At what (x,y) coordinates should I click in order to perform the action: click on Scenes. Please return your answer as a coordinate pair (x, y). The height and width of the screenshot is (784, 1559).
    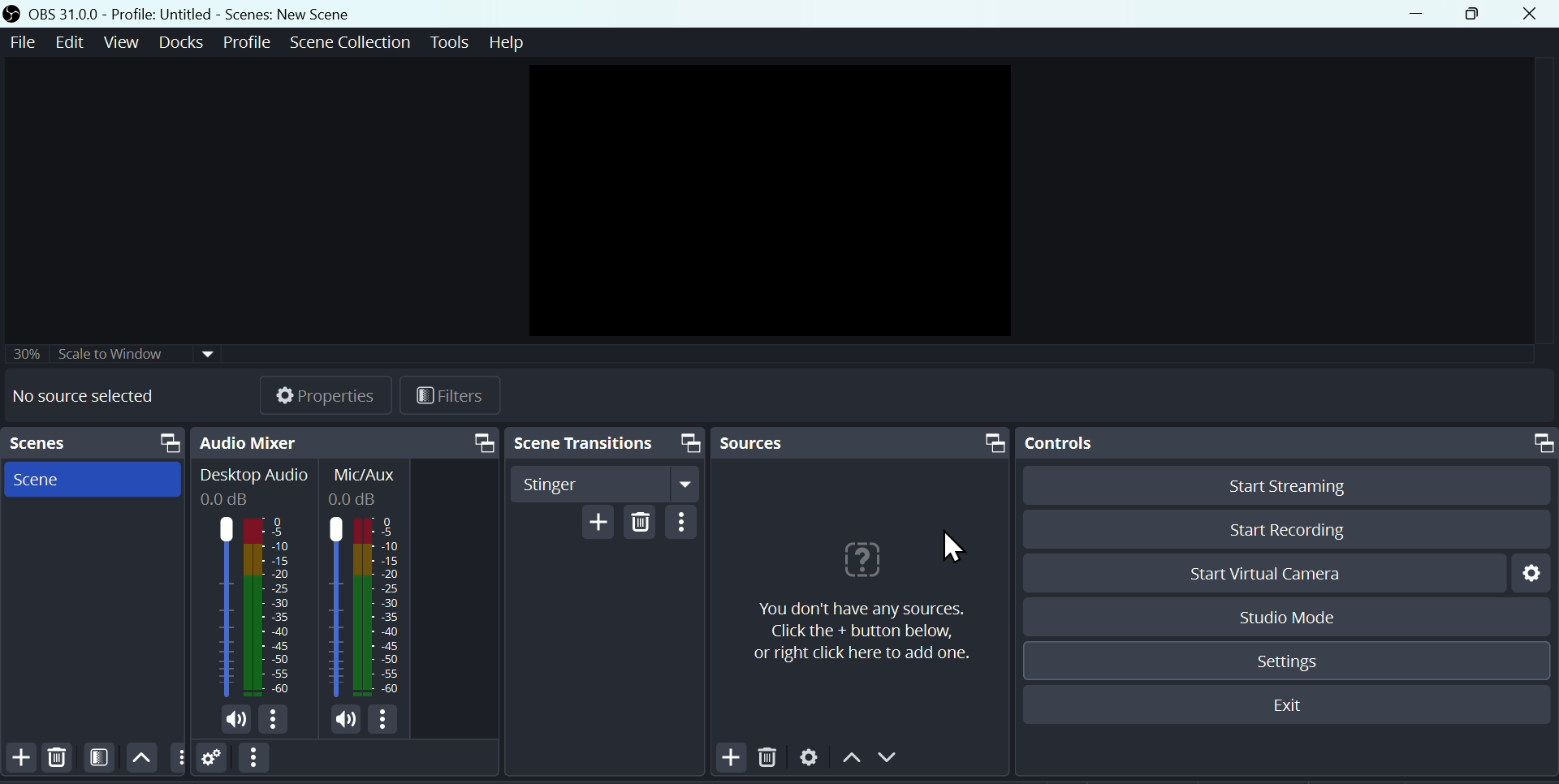
    Looking at the image, I should click on (58, 442).